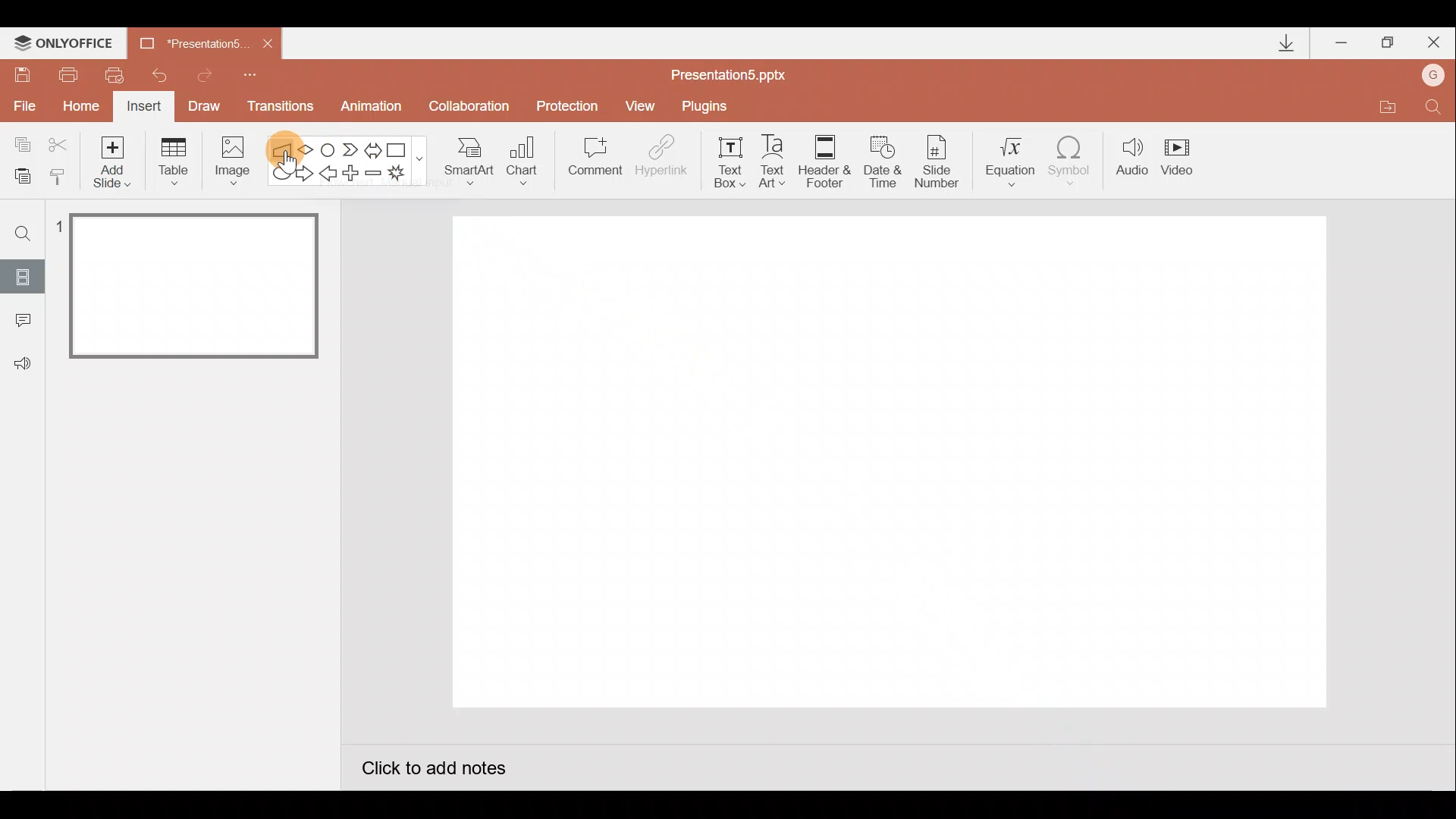 The image size is (1456, 819). Describe the element at coordinates (21, 72) in the screenshot. I see `Save` at that location.